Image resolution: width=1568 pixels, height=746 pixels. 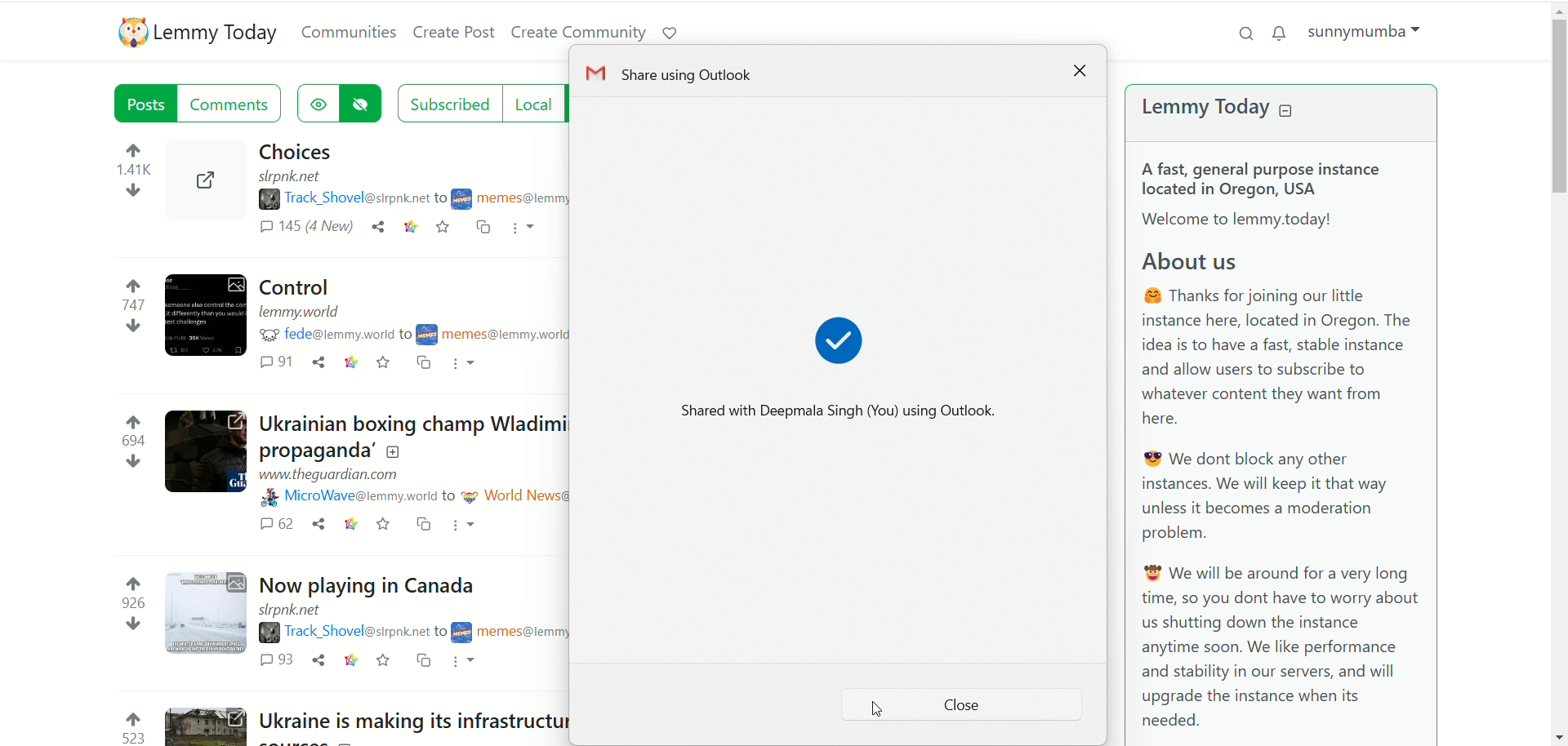 I want to click on more, so click(x=467, y=527).